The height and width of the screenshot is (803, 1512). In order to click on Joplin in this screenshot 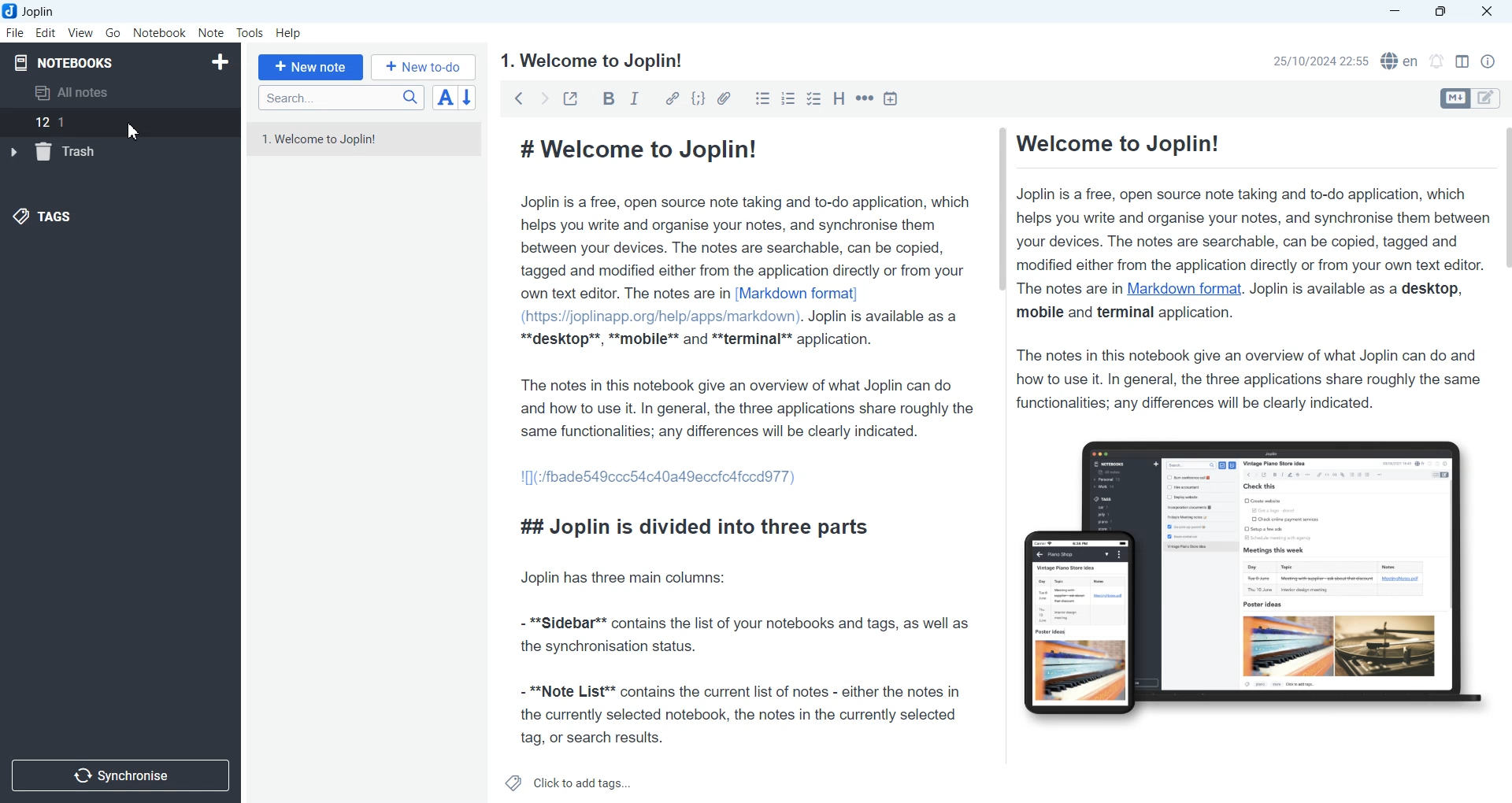, I will do `click(34, 11)`.